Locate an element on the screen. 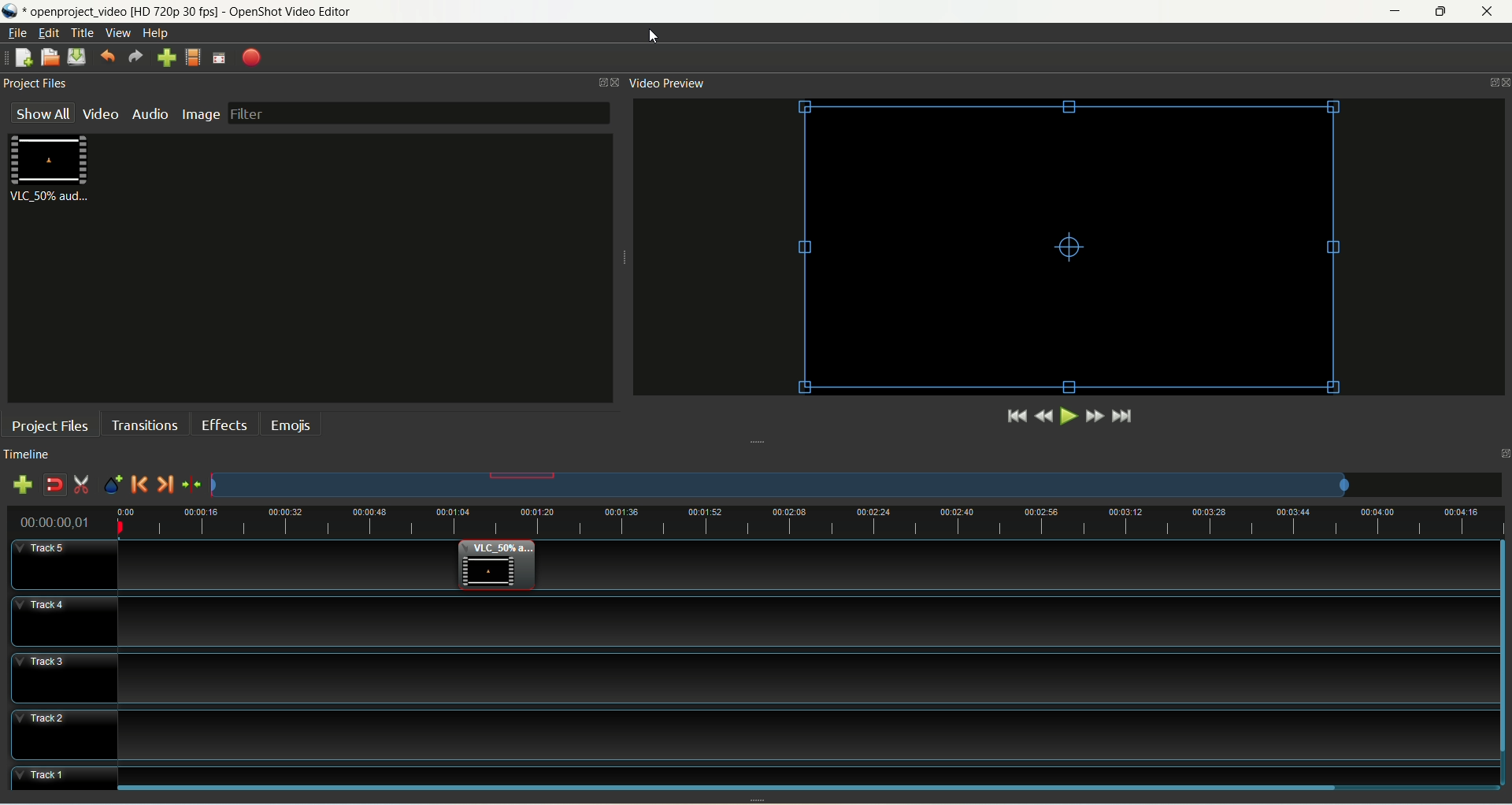 This screenshot has height=805, width=1512. zoom factor is located at coordinates (857, 484).